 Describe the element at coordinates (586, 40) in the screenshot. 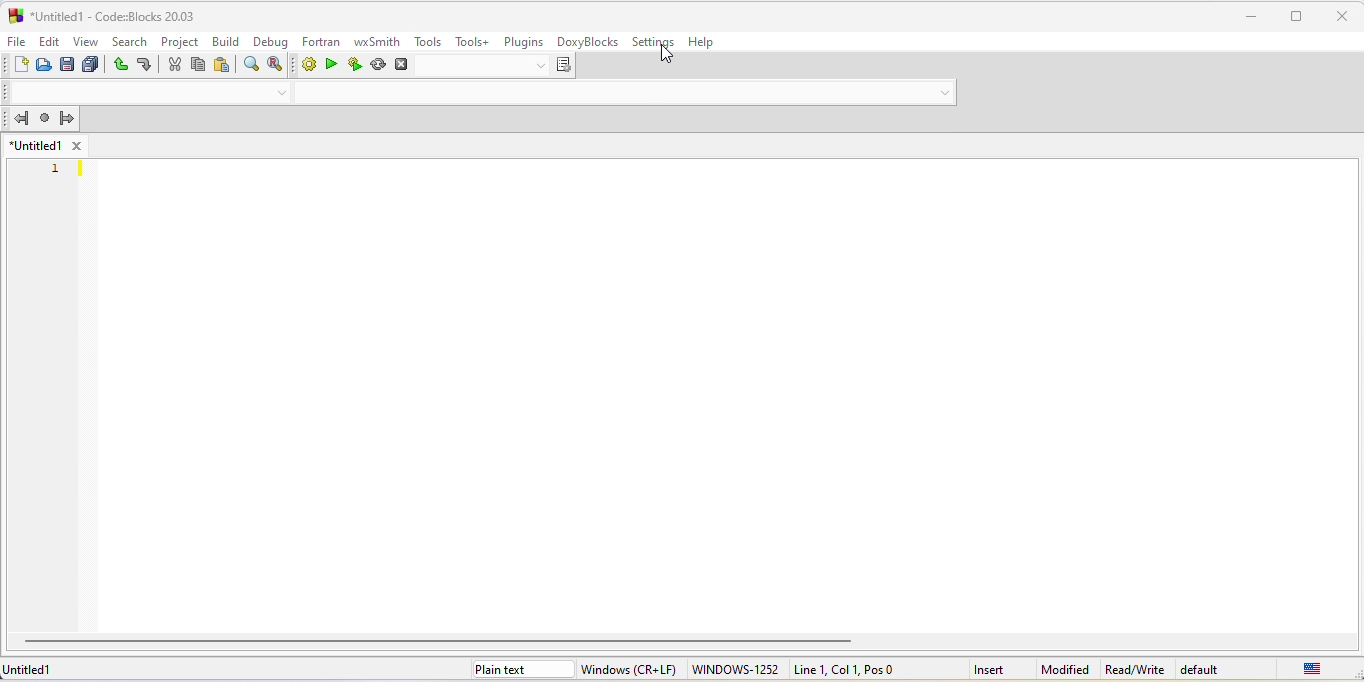

I see `doxyblocks` at that location.